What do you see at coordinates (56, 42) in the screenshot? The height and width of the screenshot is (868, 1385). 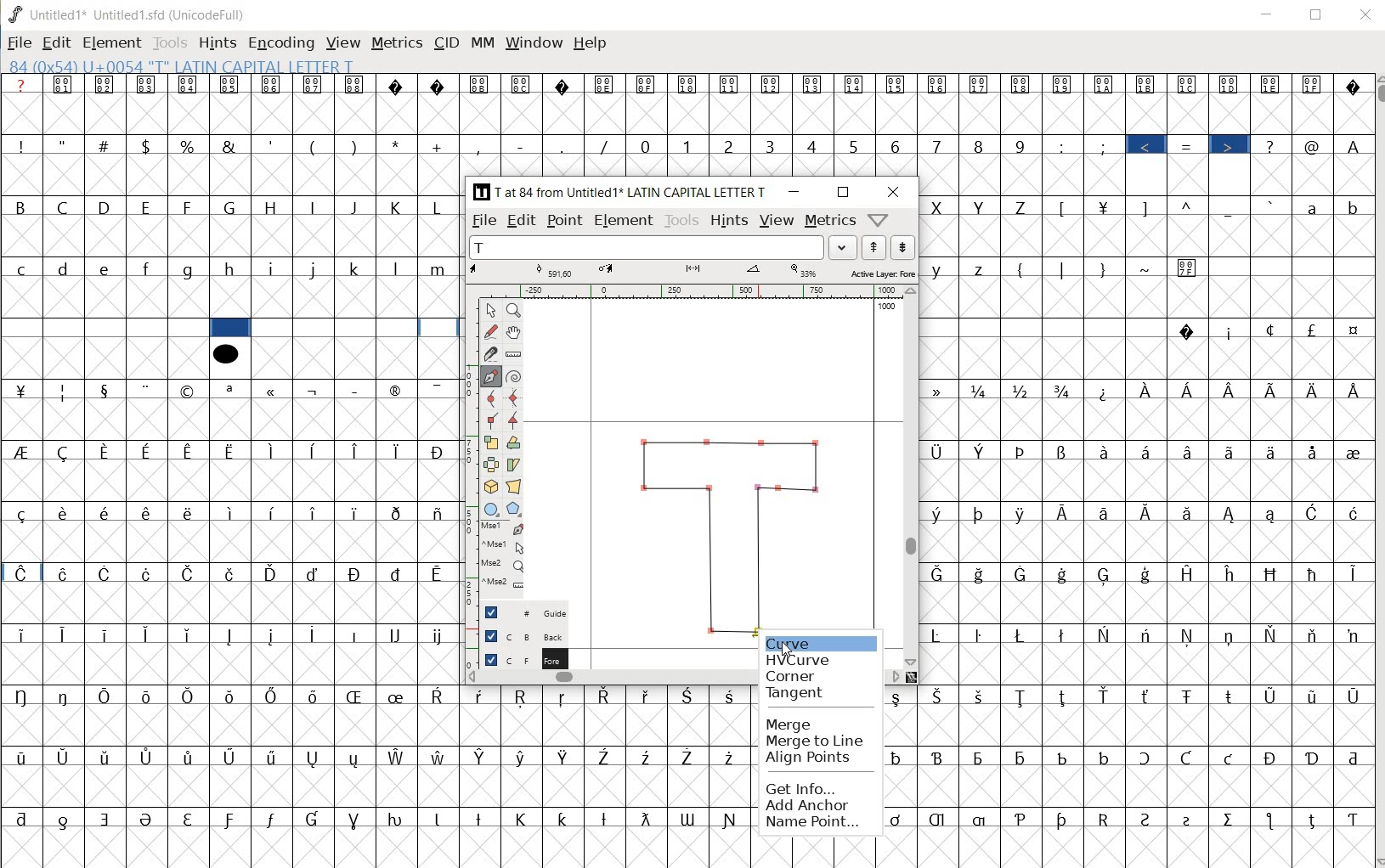 I see `edit` at bounding box center [56, 42].